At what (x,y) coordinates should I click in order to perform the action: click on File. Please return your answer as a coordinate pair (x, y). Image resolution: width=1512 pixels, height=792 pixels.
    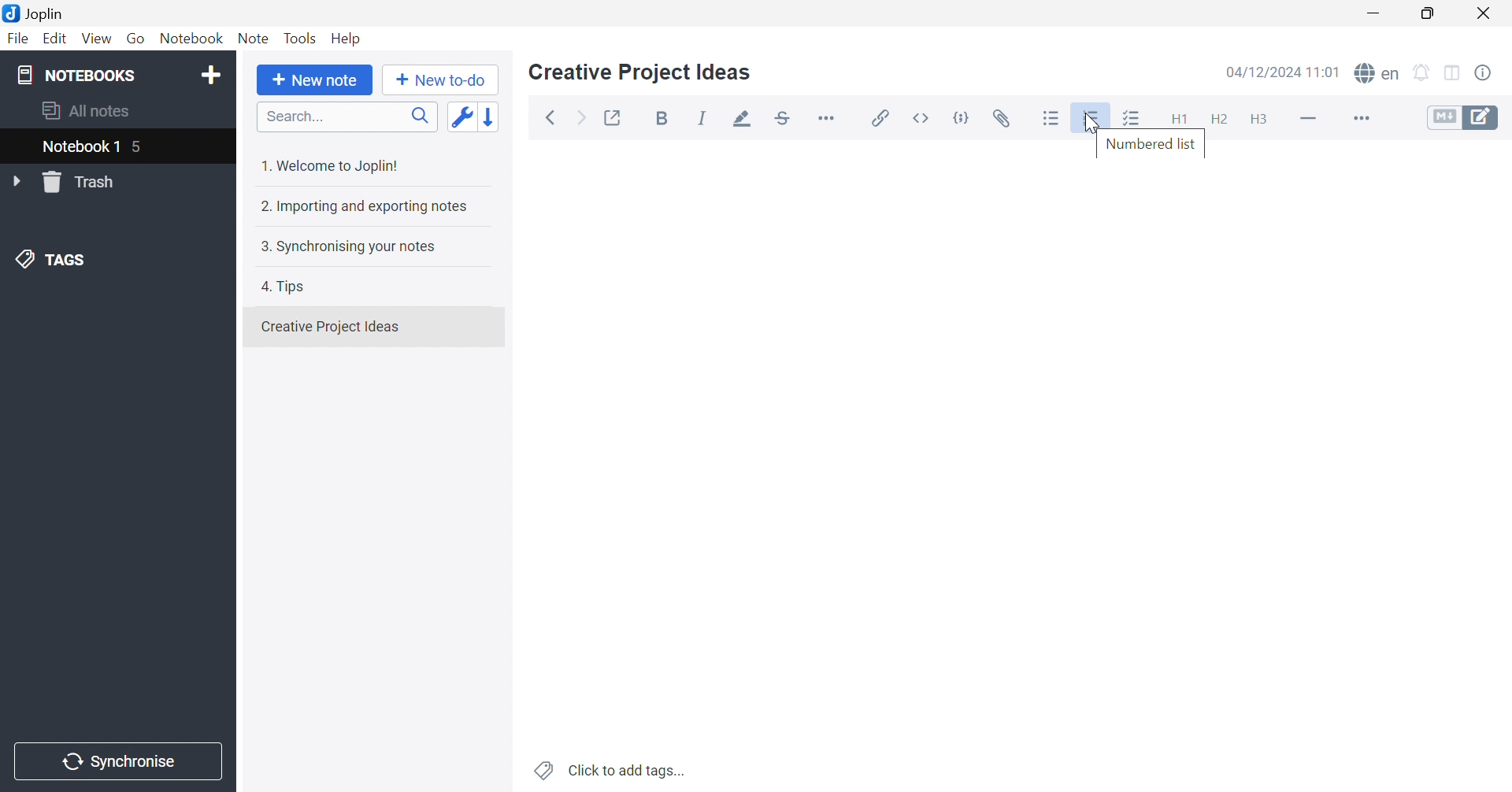
    Looking at the image, I should click on (17, 41).